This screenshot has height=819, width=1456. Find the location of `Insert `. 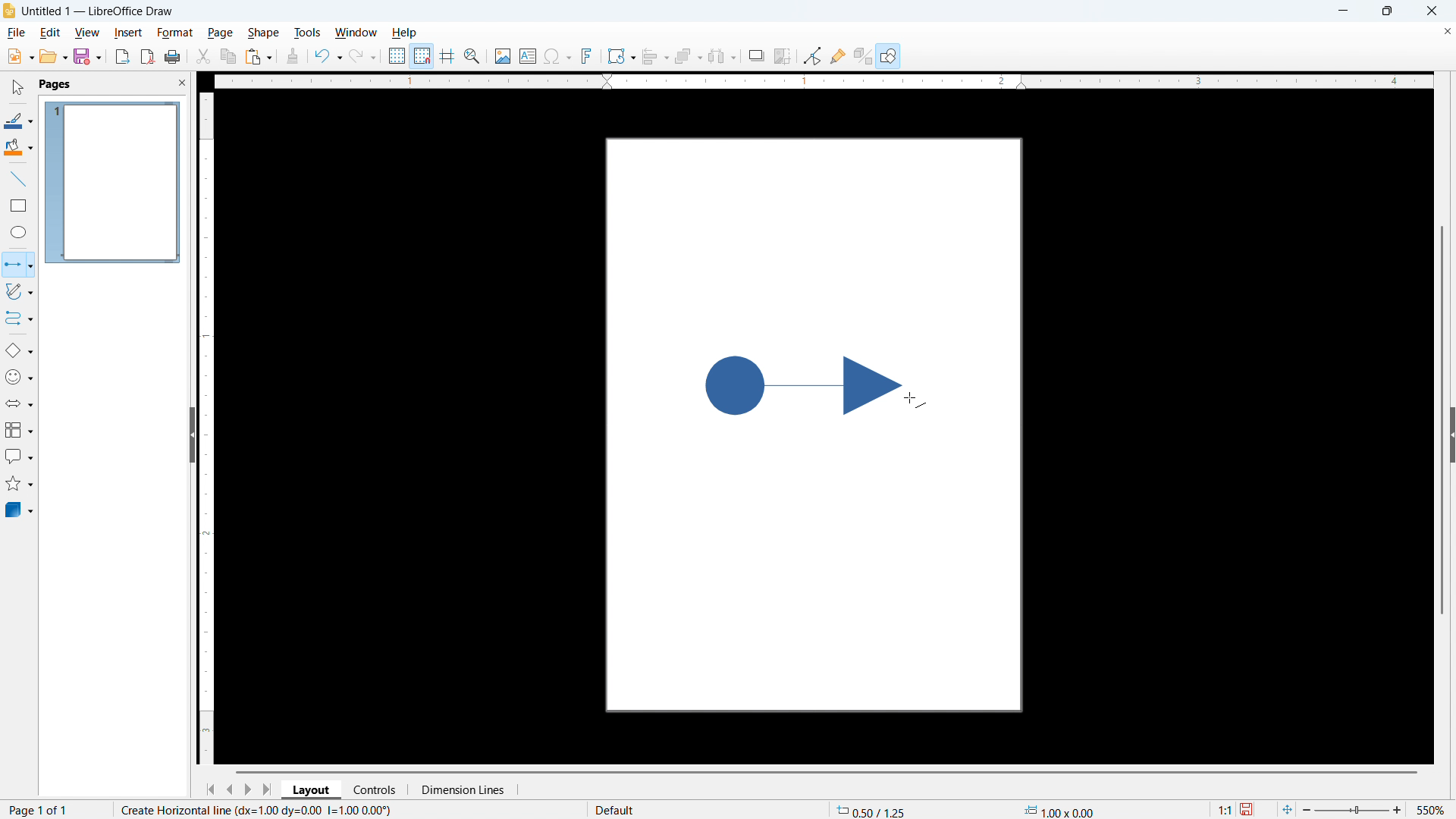

Insert  is located at coordinates (127, 32).